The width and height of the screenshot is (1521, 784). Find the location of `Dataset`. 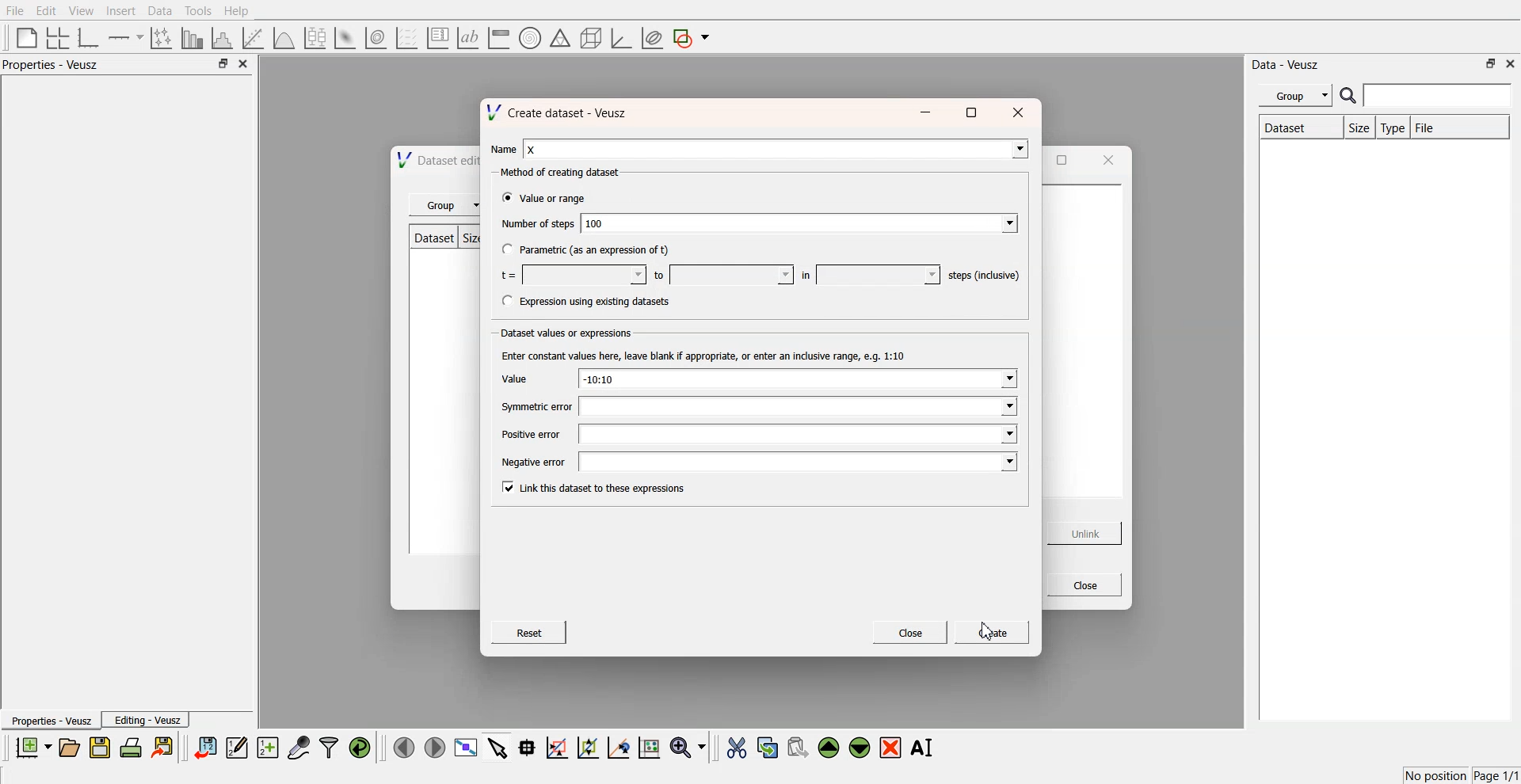

Dataset is located at coordinates (1298, 129).